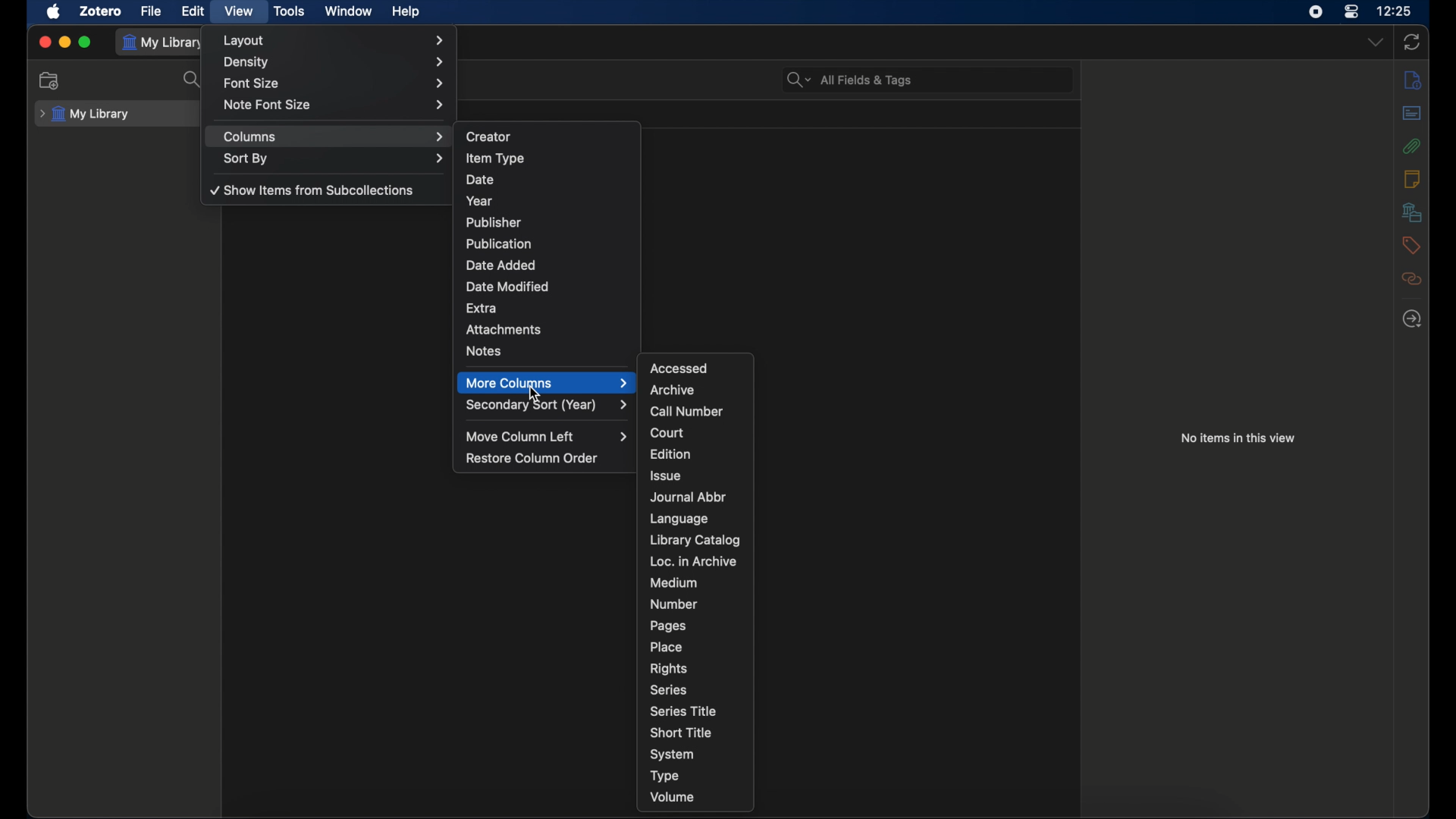 The image size is (1456, 819). Describe the element at coordinates (673, 796) in the screenshot. I see `volume` at that location.